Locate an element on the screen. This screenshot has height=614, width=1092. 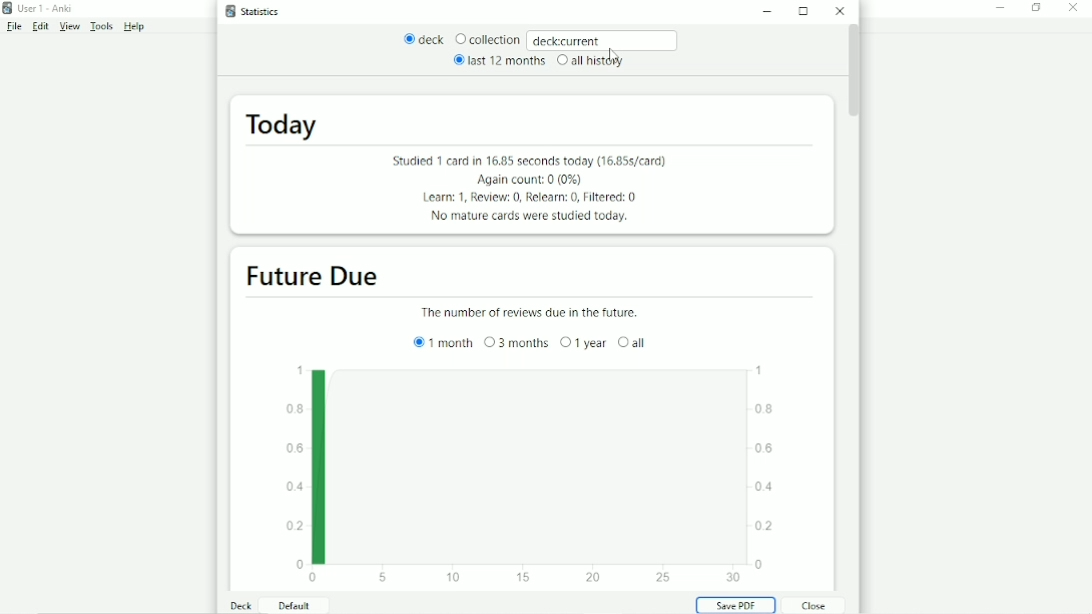
Today is located at coordinates (278, 125).